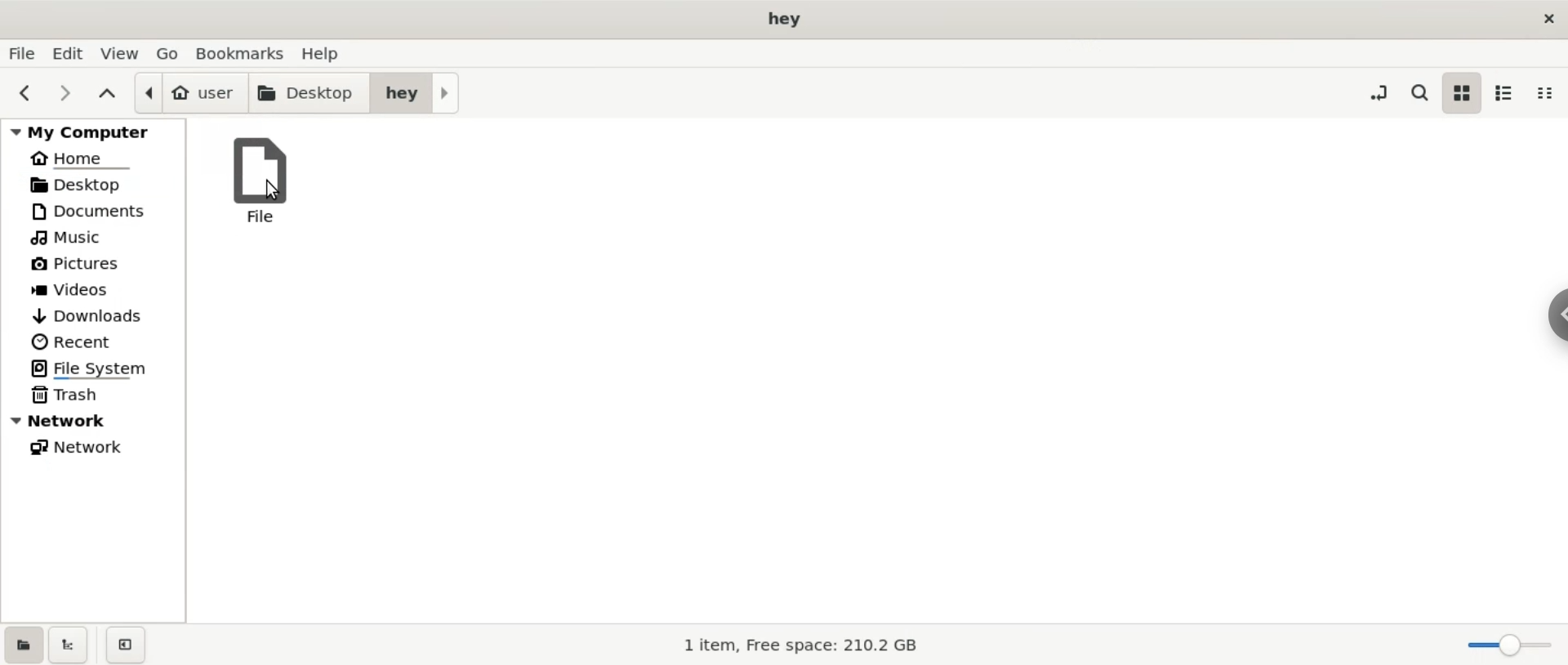  Describe the element at coordinates (277, 191) in the screenshot. I see `cursor` at that location.